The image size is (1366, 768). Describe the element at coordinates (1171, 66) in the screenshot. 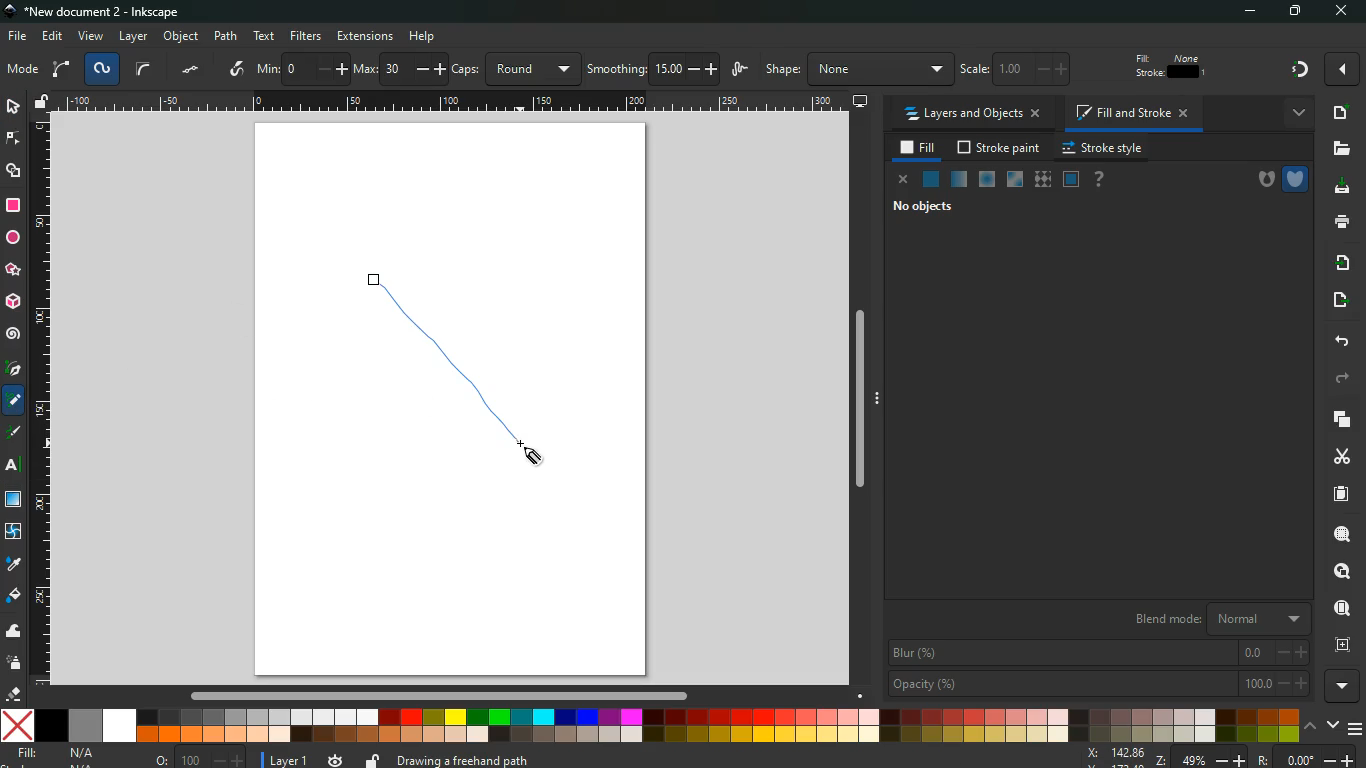

I see `fill` at that location.